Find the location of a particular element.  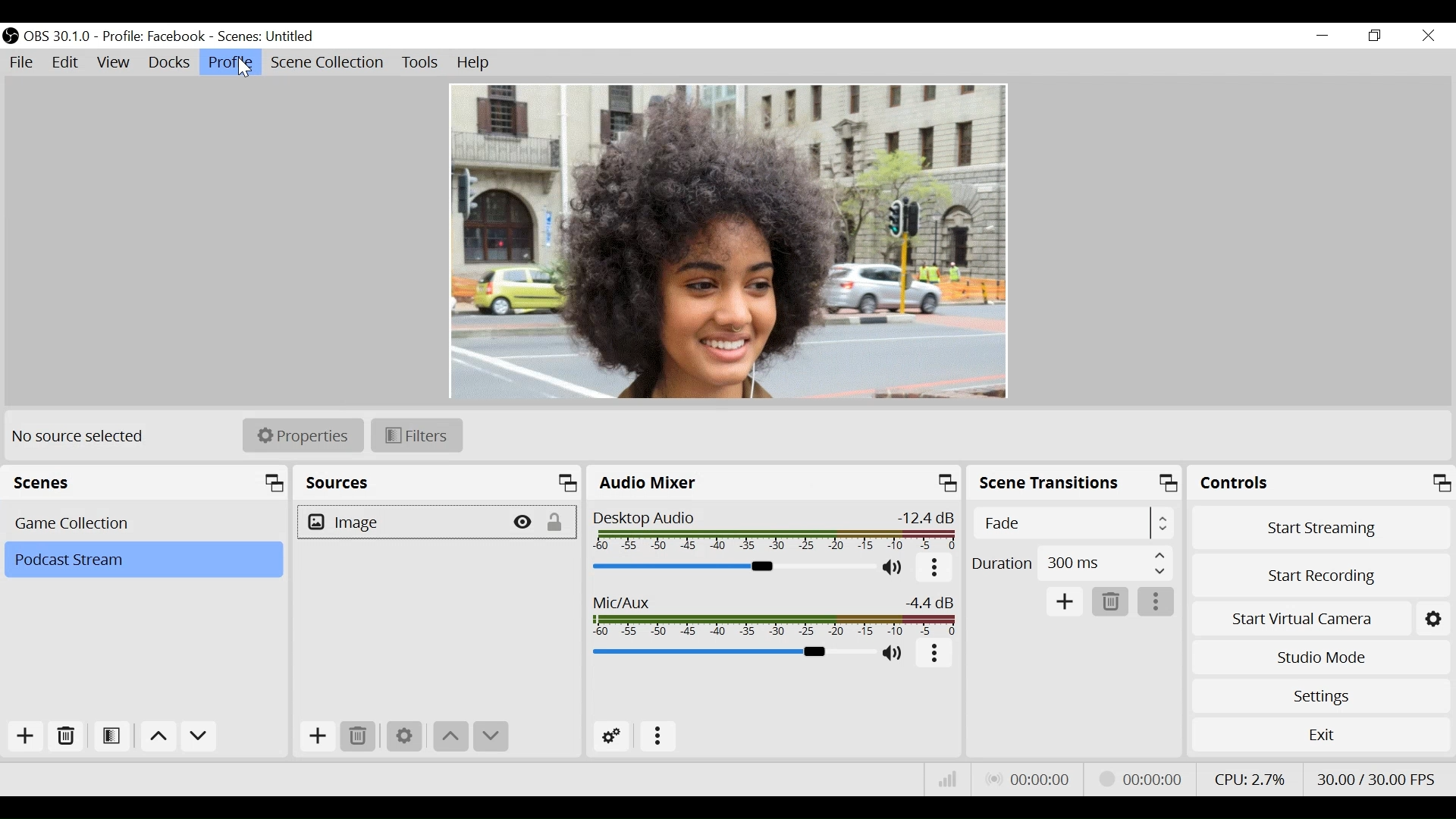

Open Filter Source is located at coordinates (115, 736).